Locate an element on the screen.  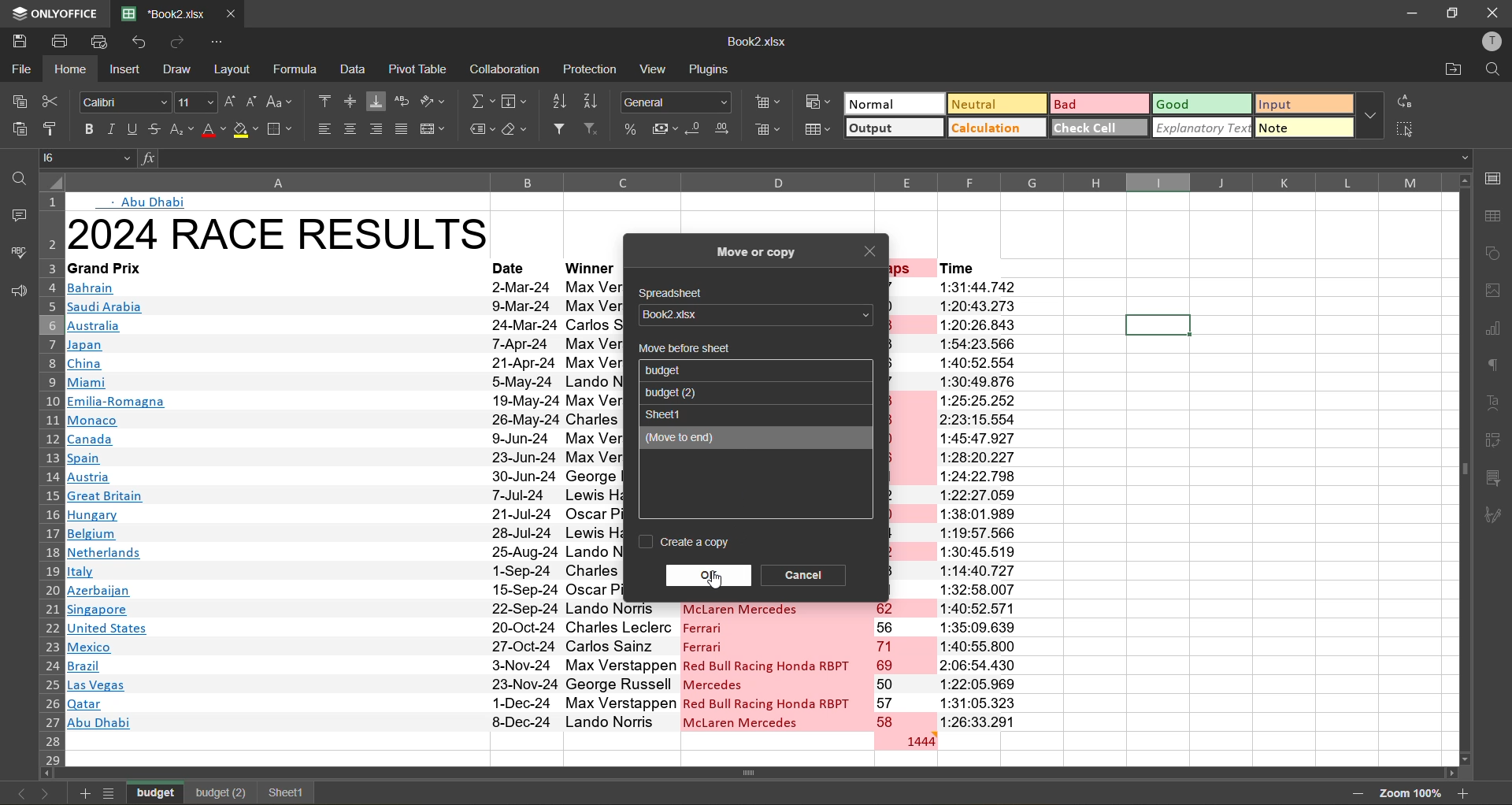
orientation is located at coordinates (435, 102).